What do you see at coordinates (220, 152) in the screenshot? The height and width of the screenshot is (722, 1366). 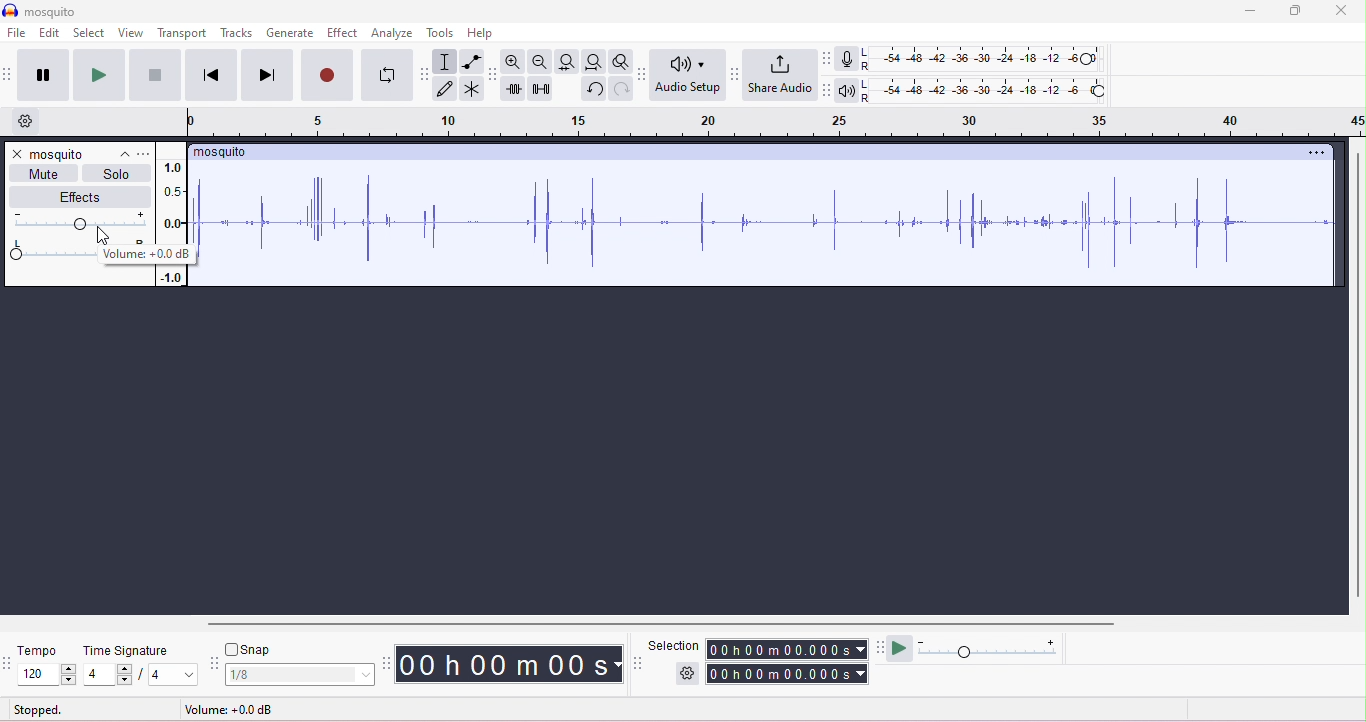 I see `track title` at bounding box center [220, 152].